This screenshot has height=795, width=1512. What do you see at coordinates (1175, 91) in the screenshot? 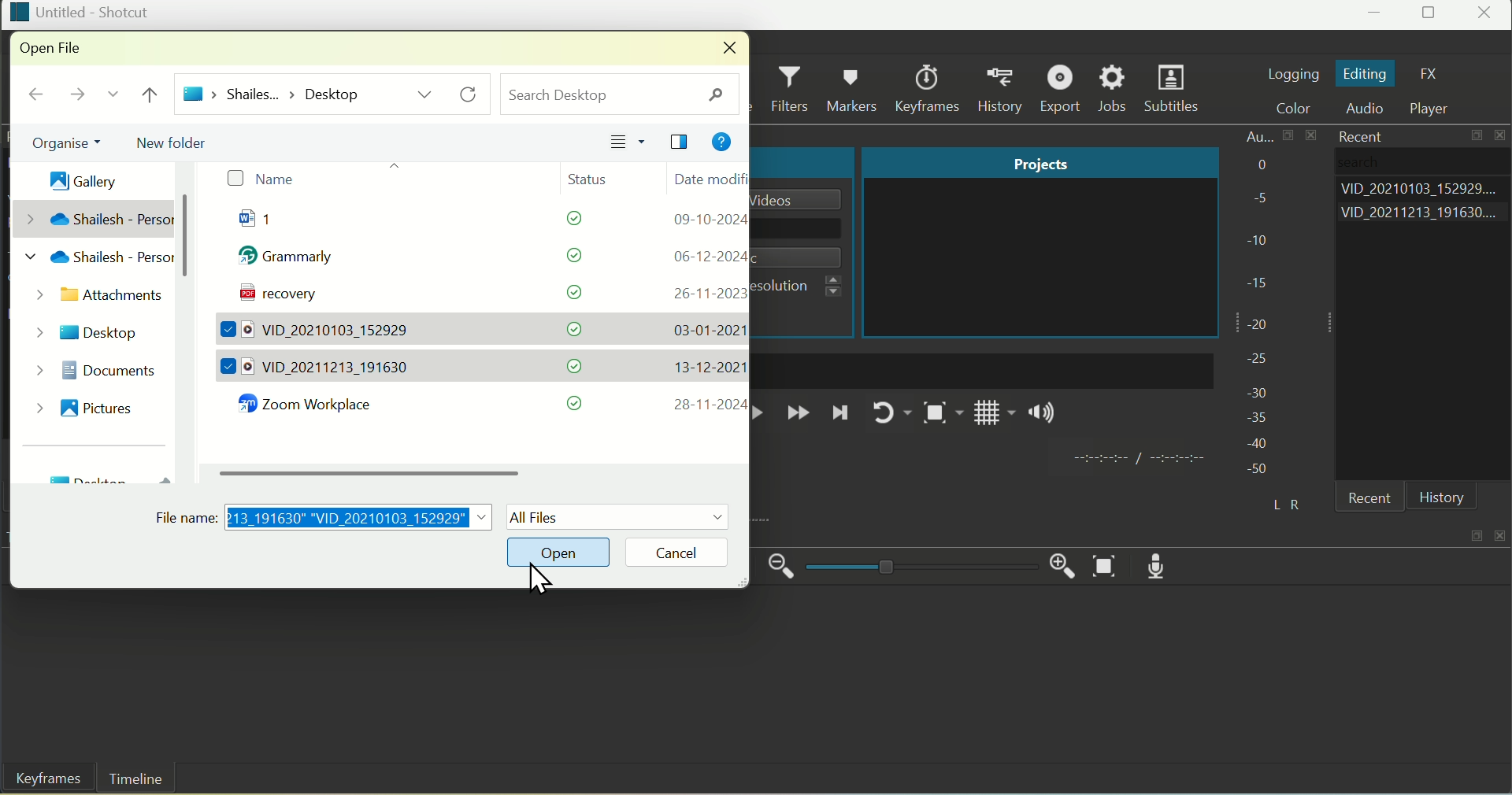
I see `Subtitles` at bounding box center [1175, 91].